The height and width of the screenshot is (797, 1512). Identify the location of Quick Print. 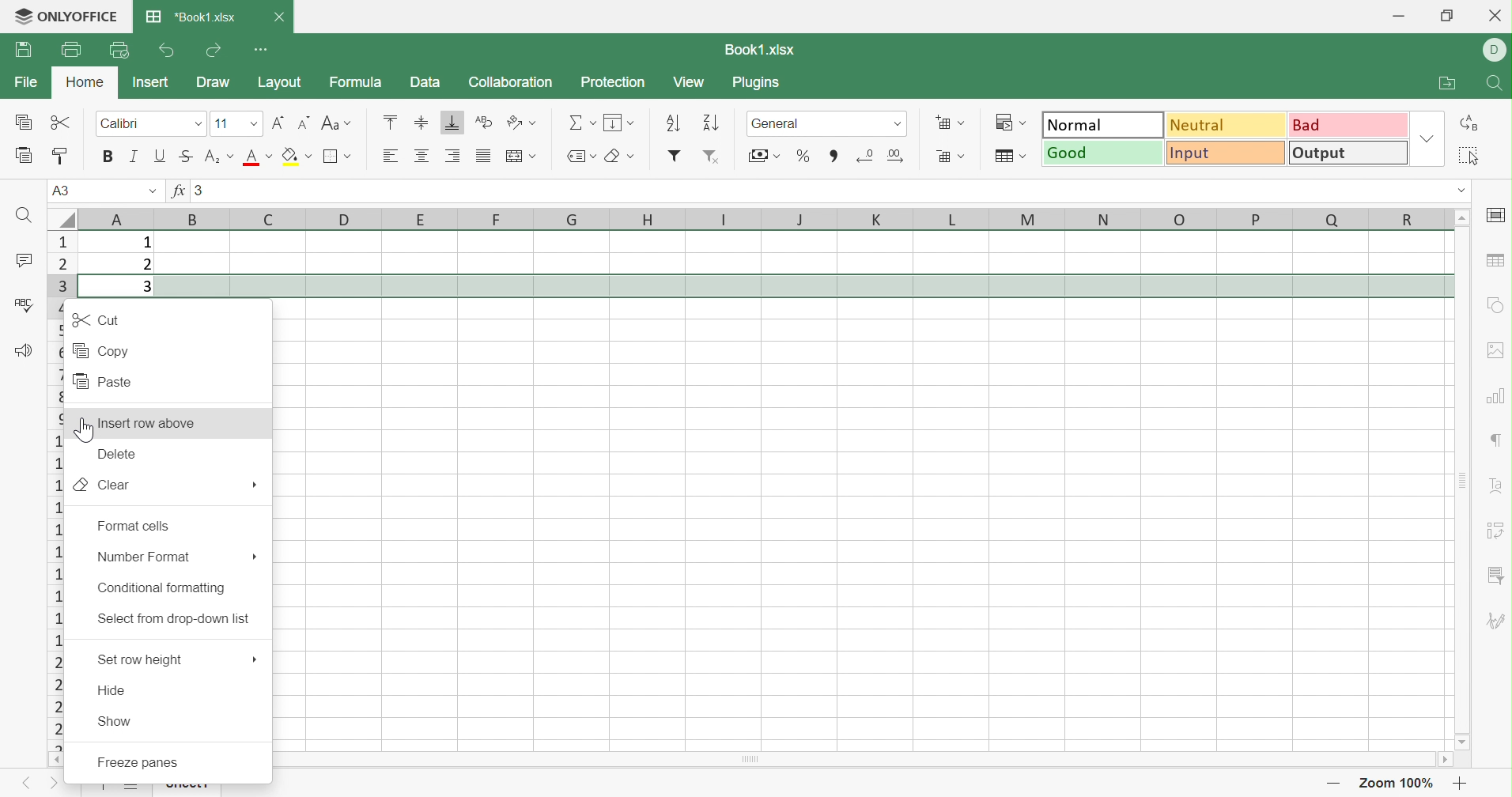
(116, 50).